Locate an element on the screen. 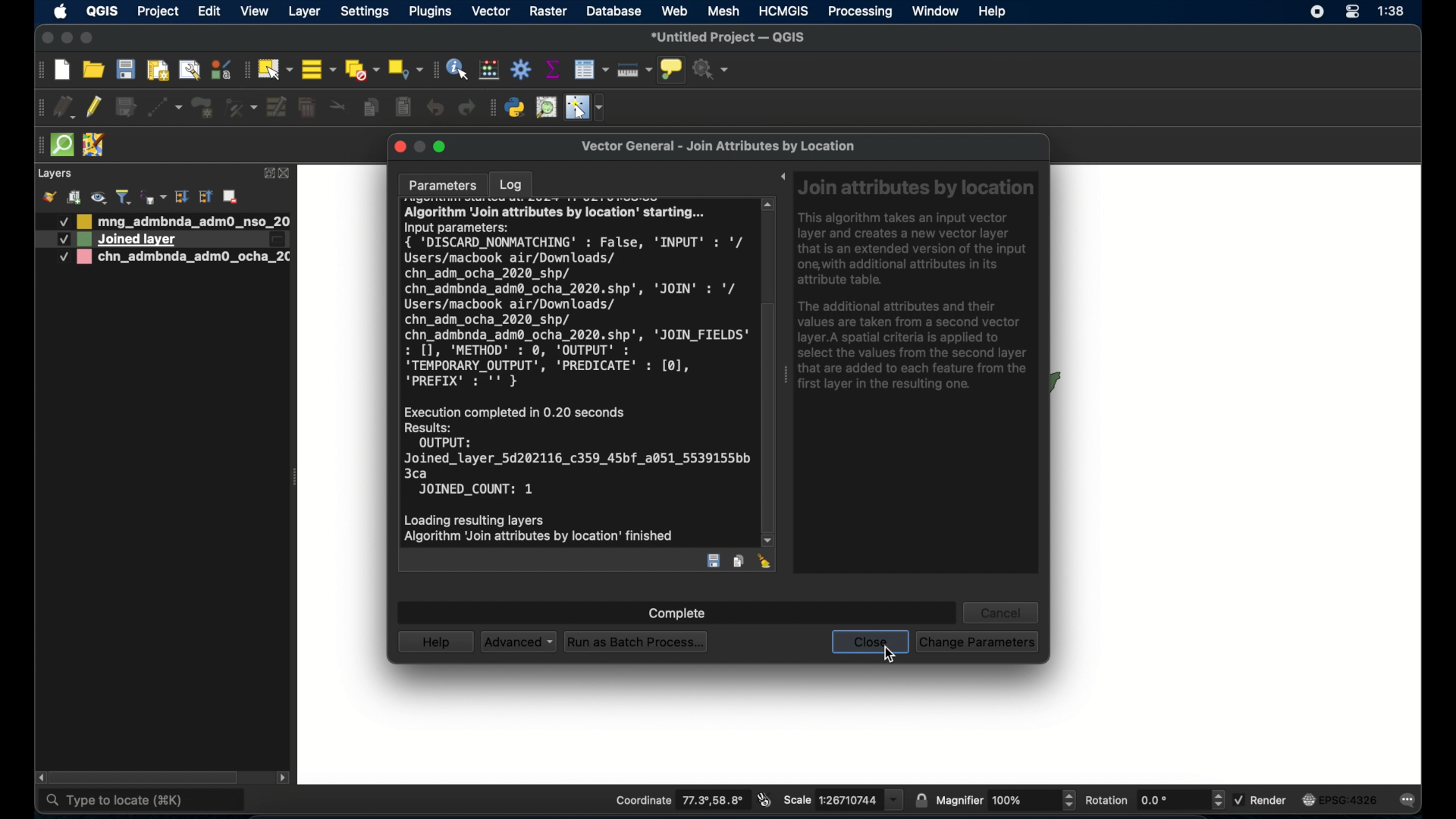 This screenshot has height=819, width=1456. untitled project - QGIS is located at coordinates (730, 39).